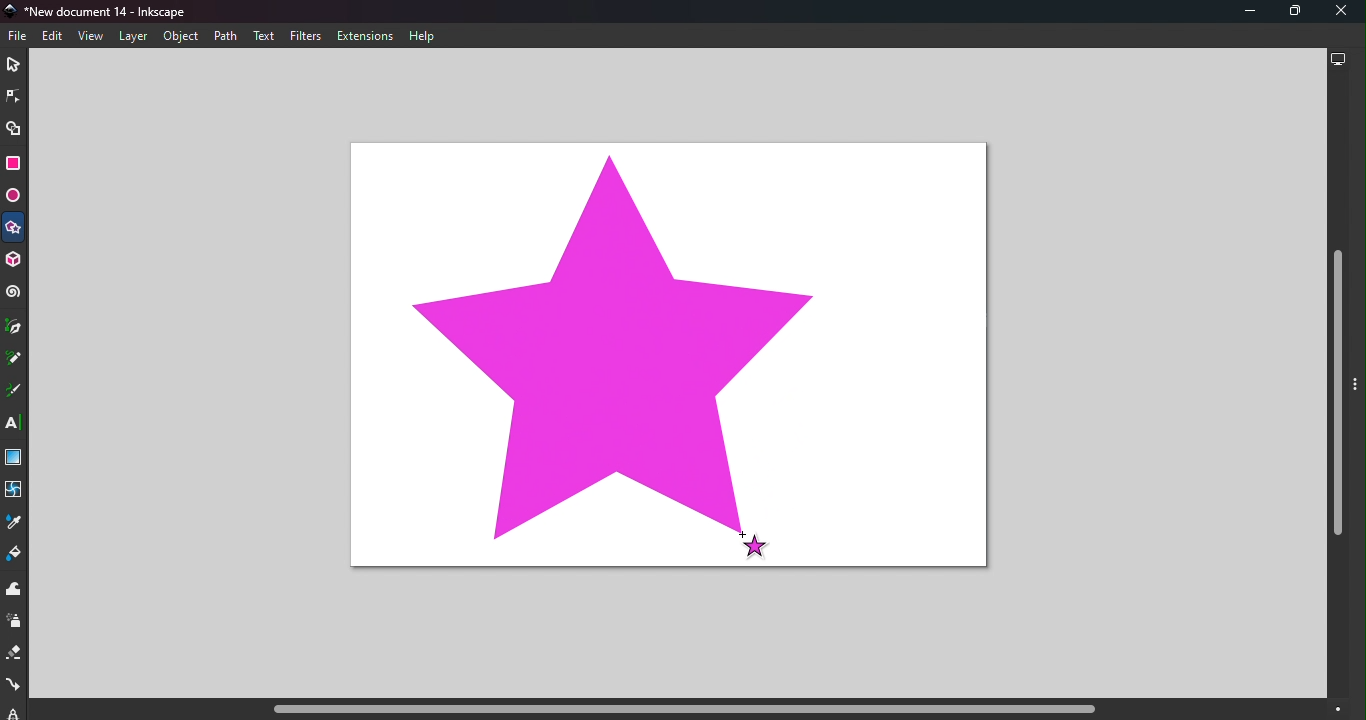  What do you see at coordinates (1342, 12) in the screenshot?
I see `Close` at bounding box center [1342, 12].